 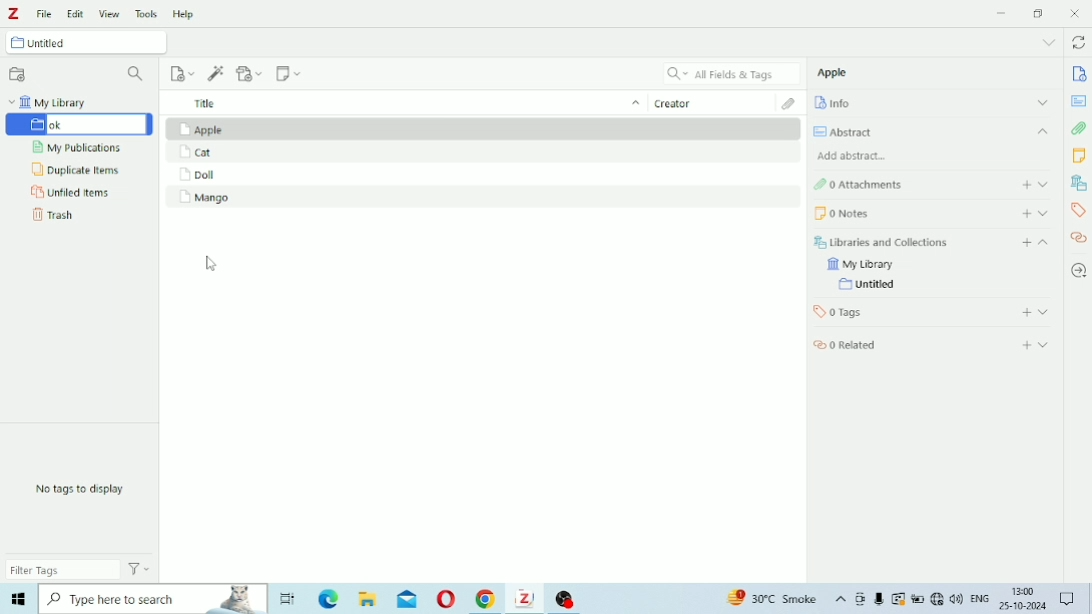 What do you see at coordinates (1043, 345) in the screenshot?
I see `Expand section` at bounding box center [1043, 345].